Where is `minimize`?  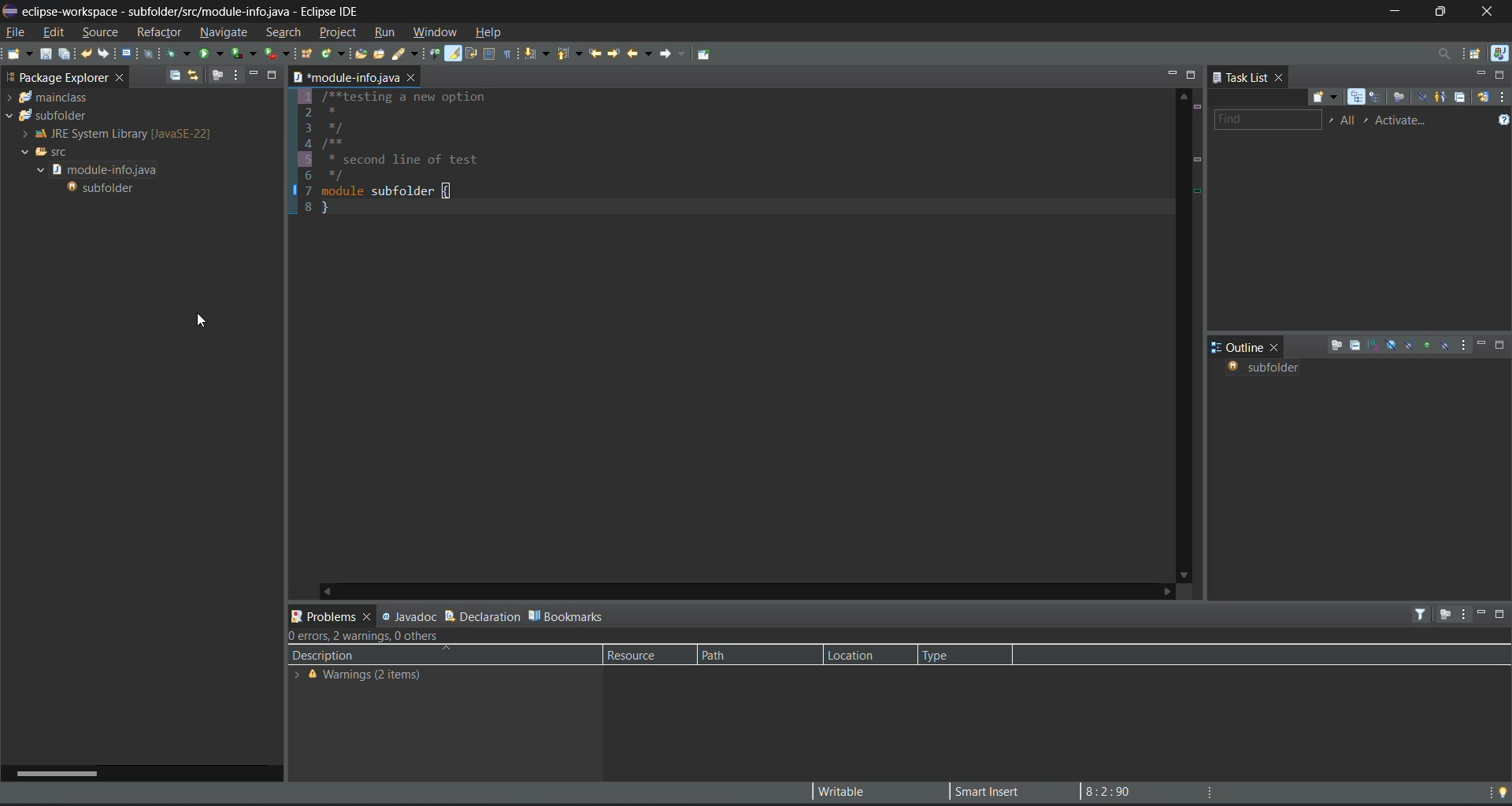
minimize is located at coordinates (1169, 72).